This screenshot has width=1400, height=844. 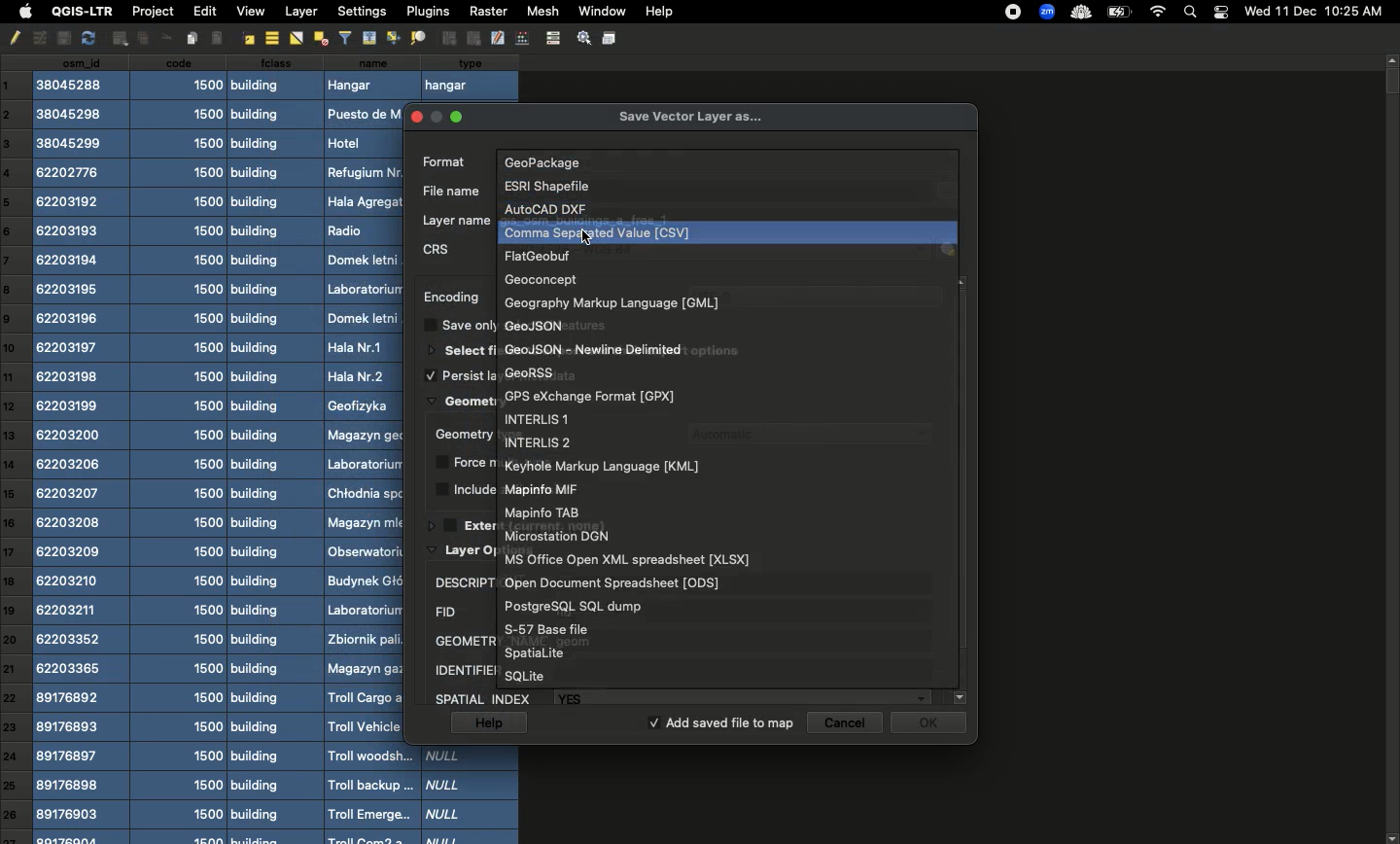 What do you see at coordinates (436, 120) in the screenshot?
I see `minimize` at bounding box center [436, 120].